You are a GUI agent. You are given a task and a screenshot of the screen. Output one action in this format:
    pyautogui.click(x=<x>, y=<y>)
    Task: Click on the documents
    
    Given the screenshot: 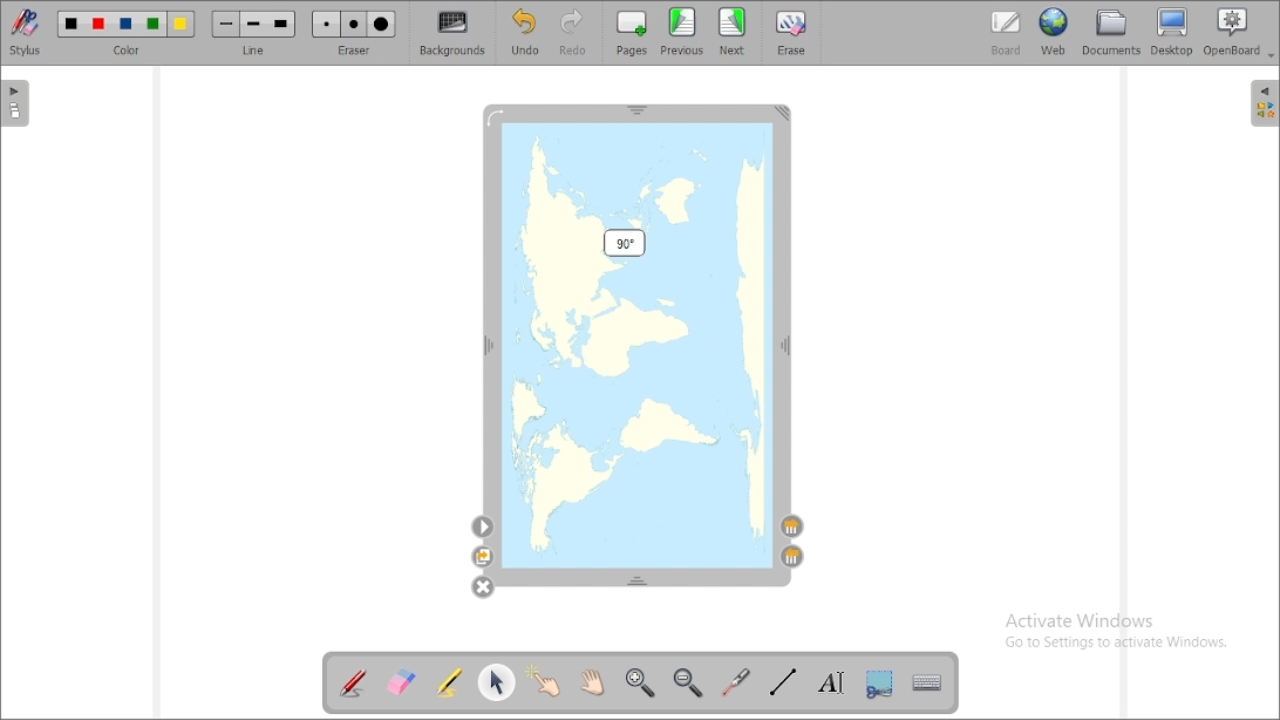 What is the action you would take?
    pyautogui.click(x=1111, y=33)
    